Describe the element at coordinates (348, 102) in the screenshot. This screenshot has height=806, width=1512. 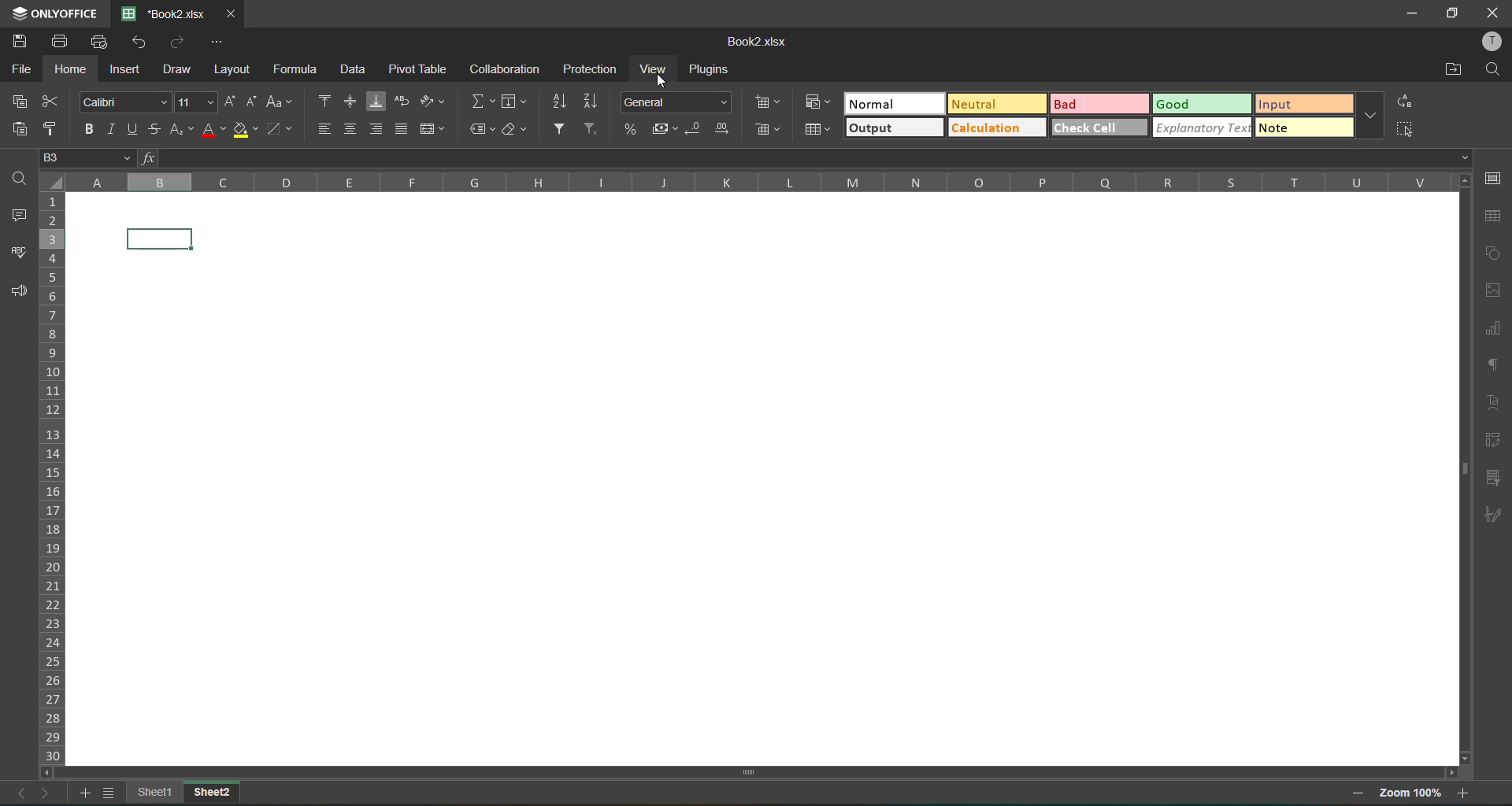
I see `align middle` at that location.